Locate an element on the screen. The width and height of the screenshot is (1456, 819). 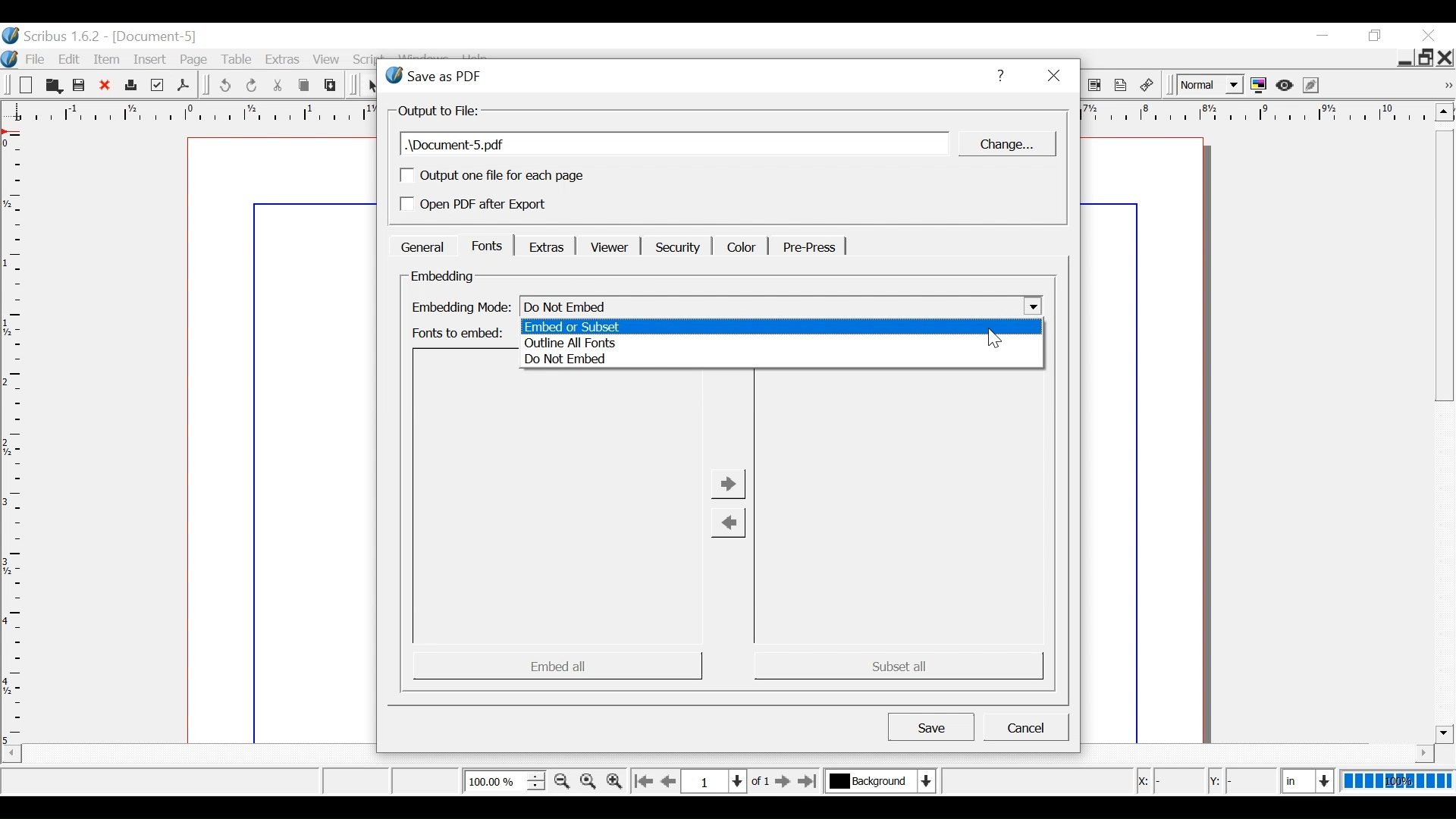
Table is located at coordinates (240, 61).